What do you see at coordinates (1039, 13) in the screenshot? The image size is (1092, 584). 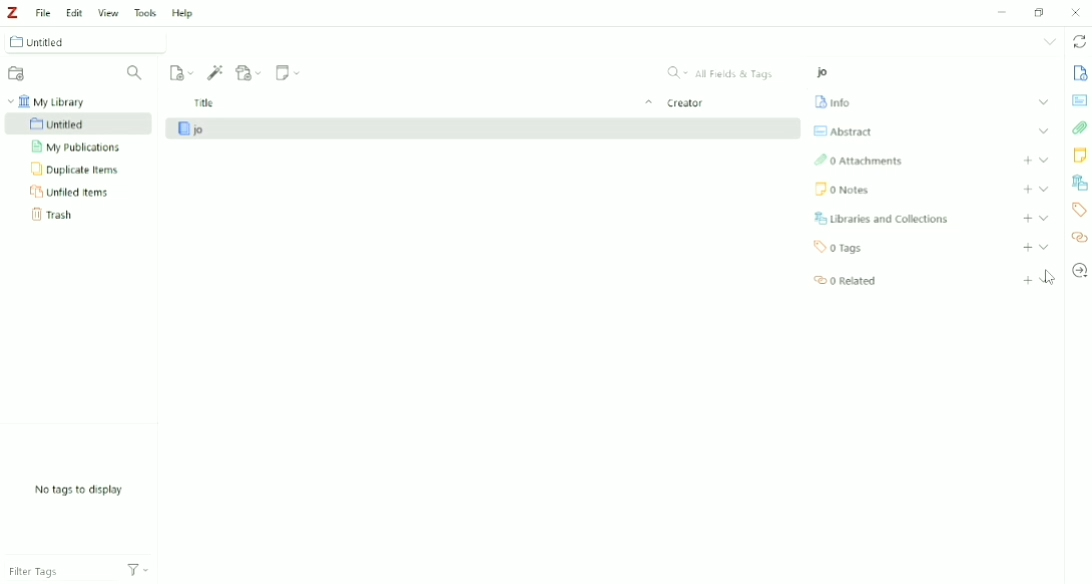 I see `Restore Down` at bounding box center [1039, 13].